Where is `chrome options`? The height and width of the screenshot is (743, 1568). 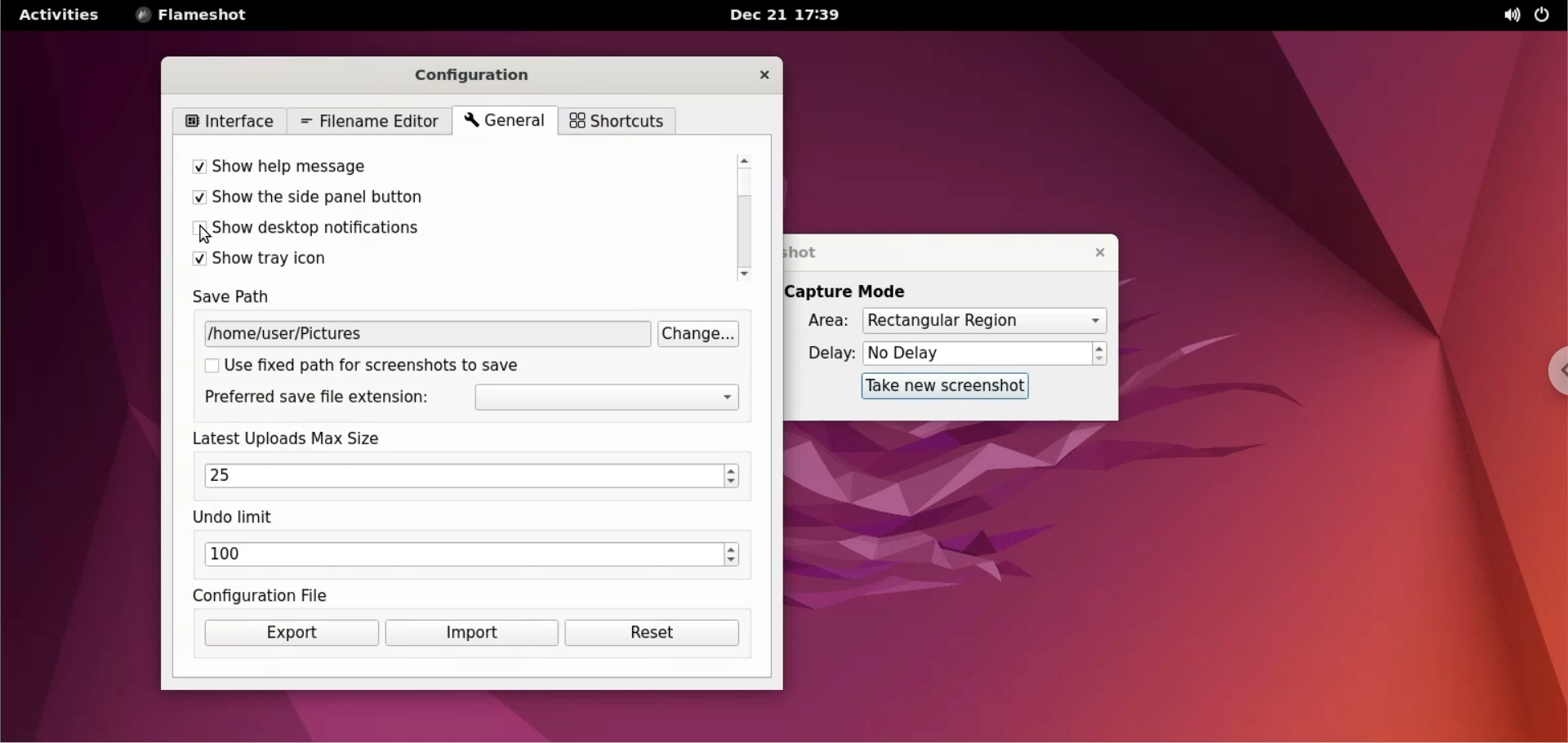 chrome options is located at coordinates (1550, 372).